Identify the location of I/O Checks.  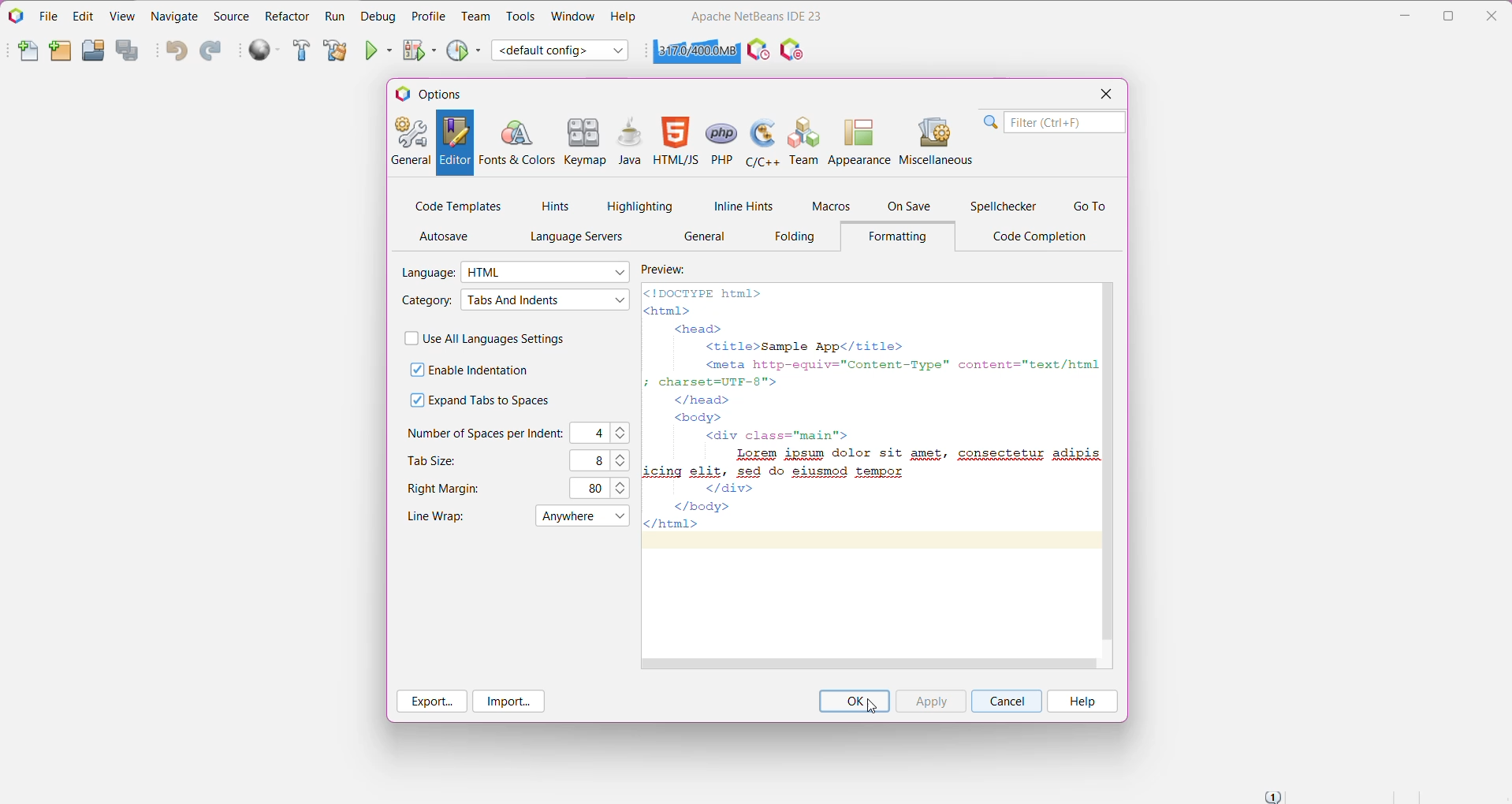
(794, 49).